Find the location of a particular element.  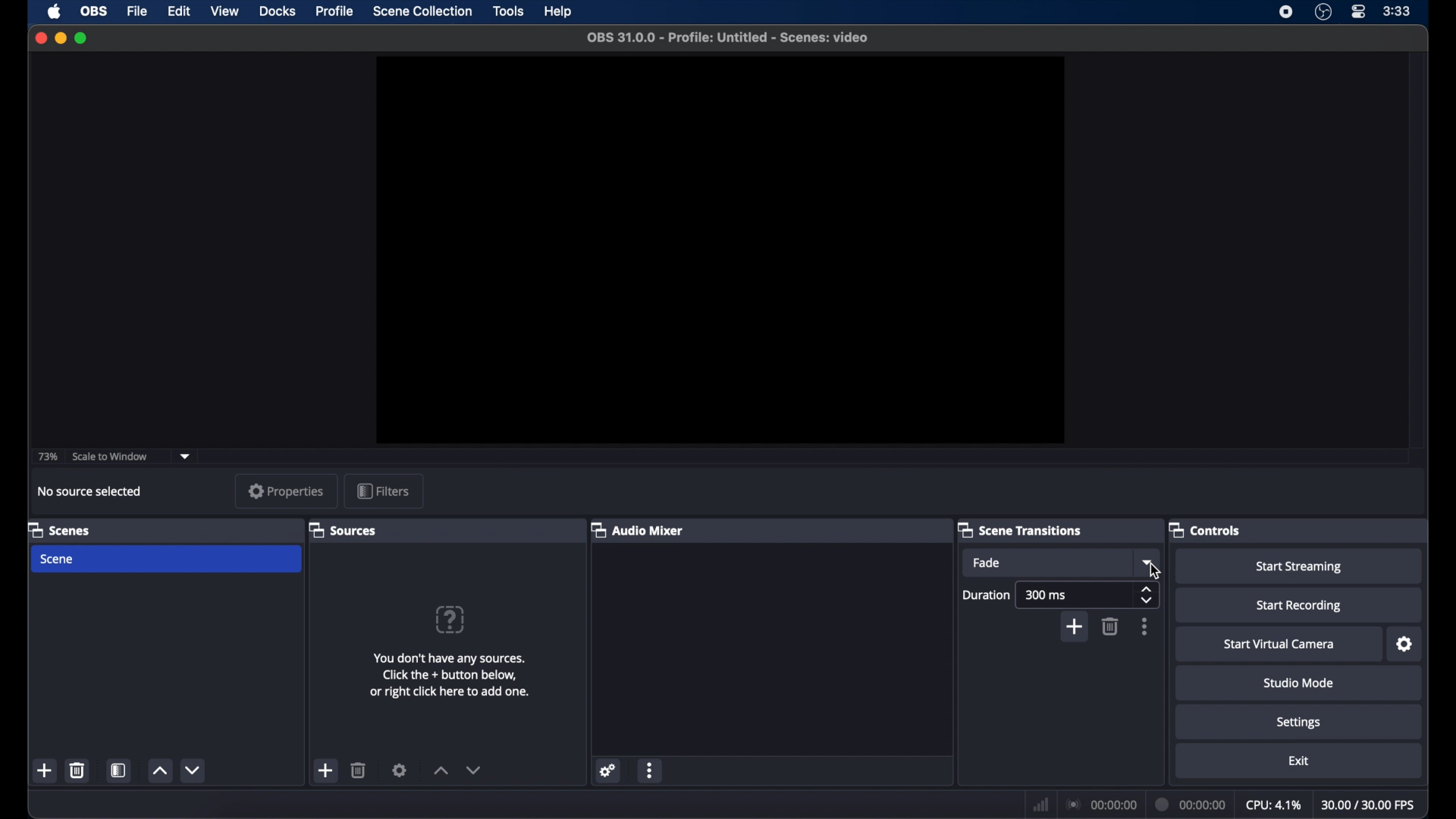

down is located at coordinates (193, 770).